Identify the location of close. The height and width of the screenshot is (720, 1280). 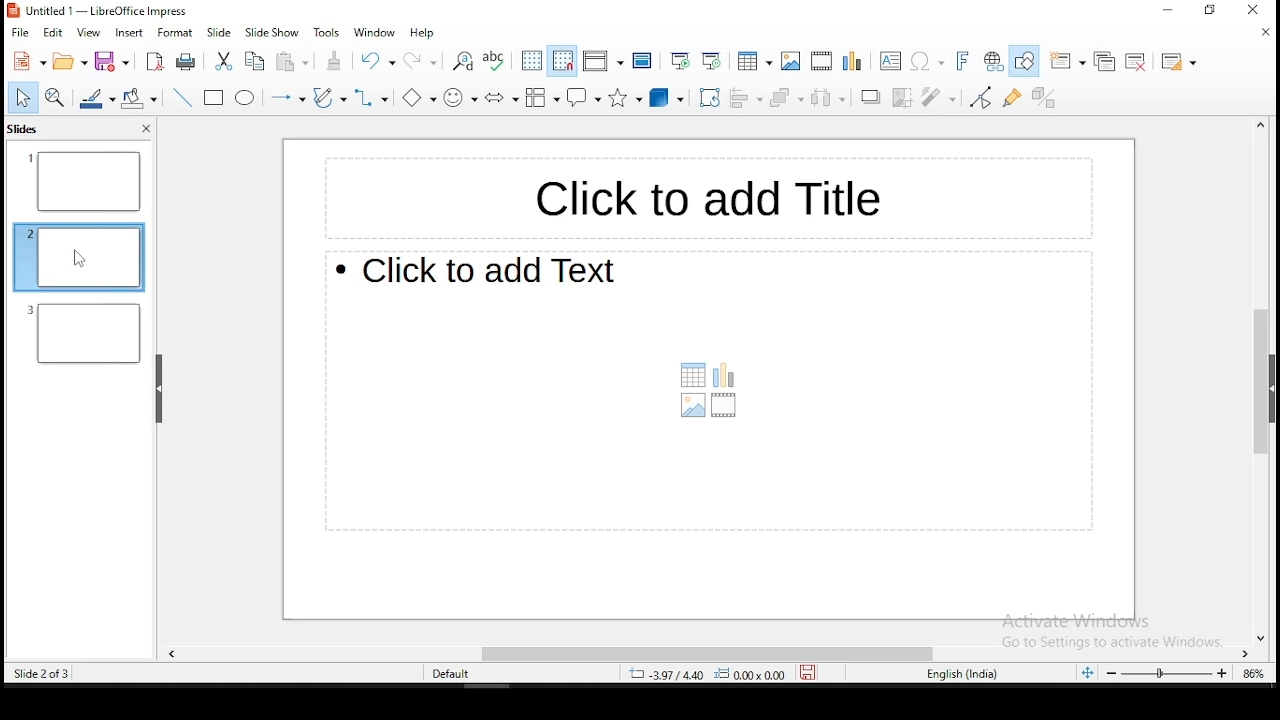
(1263, 36).